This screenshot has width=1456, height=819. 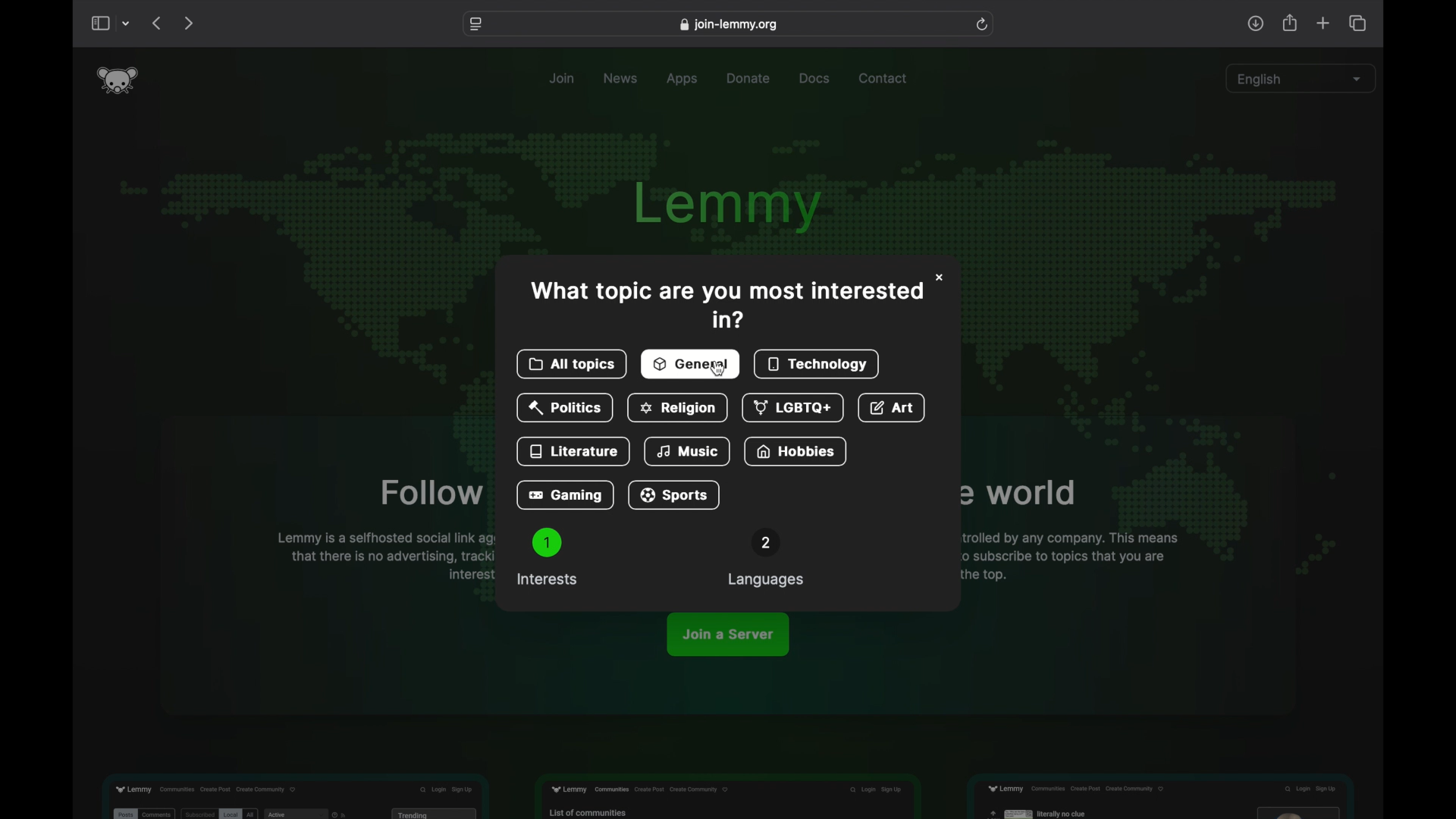 What do you see at coordinates (127, 24) in the screenshot?
I see `tab group picker` at bounding box center [127, 24].